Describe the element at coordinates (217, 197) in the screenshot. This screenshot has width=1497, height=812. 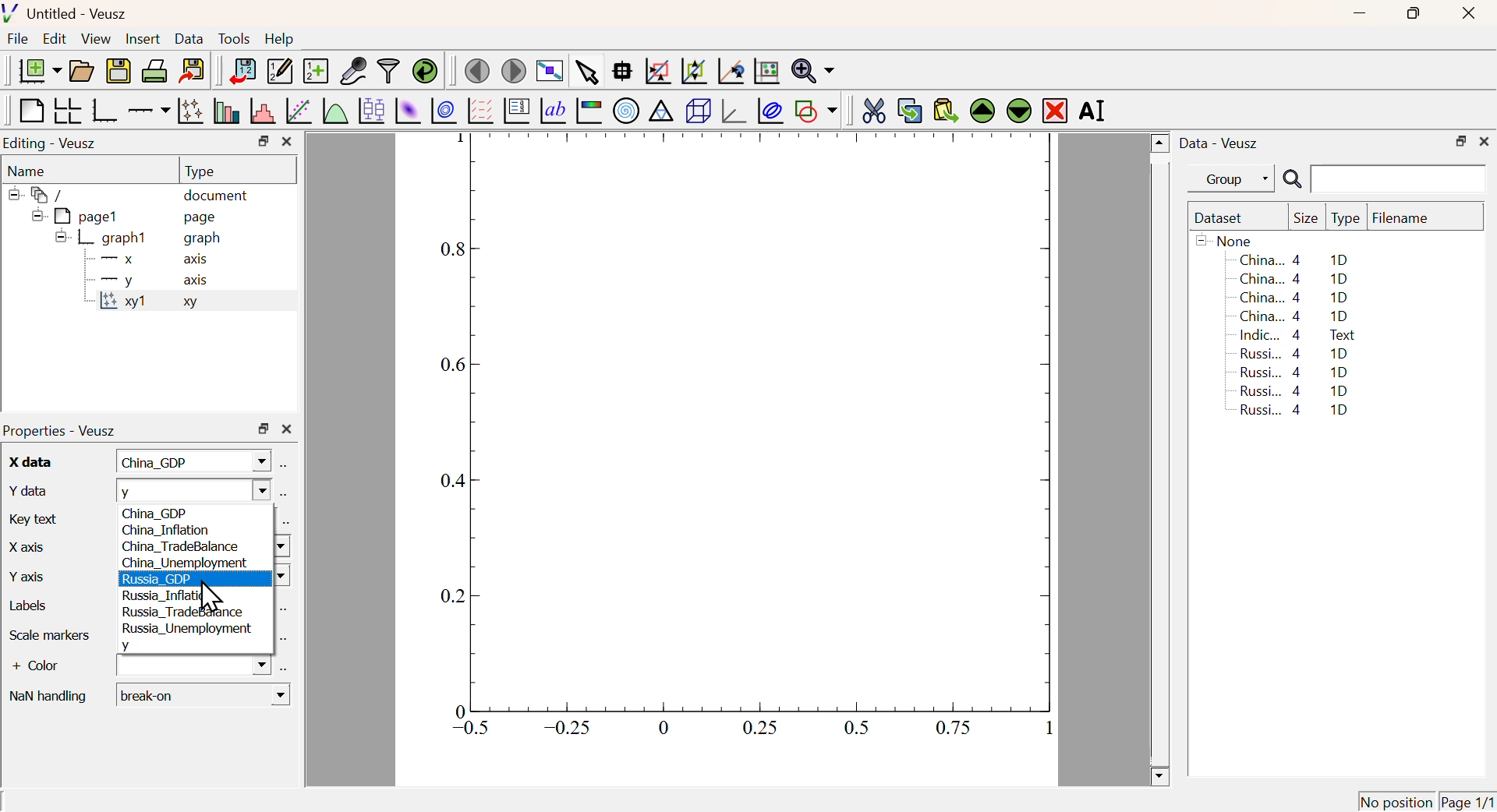
I see `document` at that location.